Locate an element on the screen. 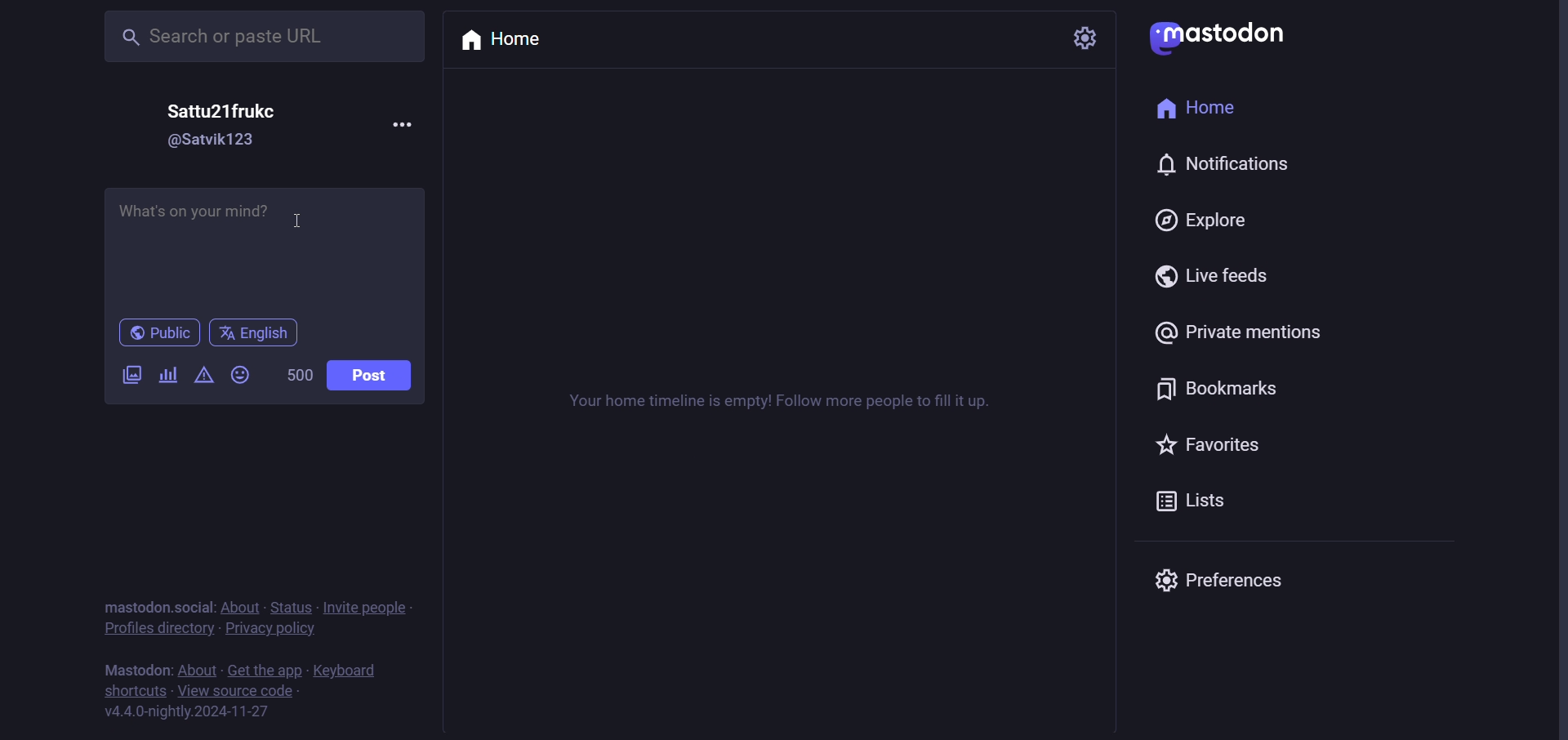 The height and width of the screenshot is (740, 1568). mastodon is located at coordinates (131, 605).